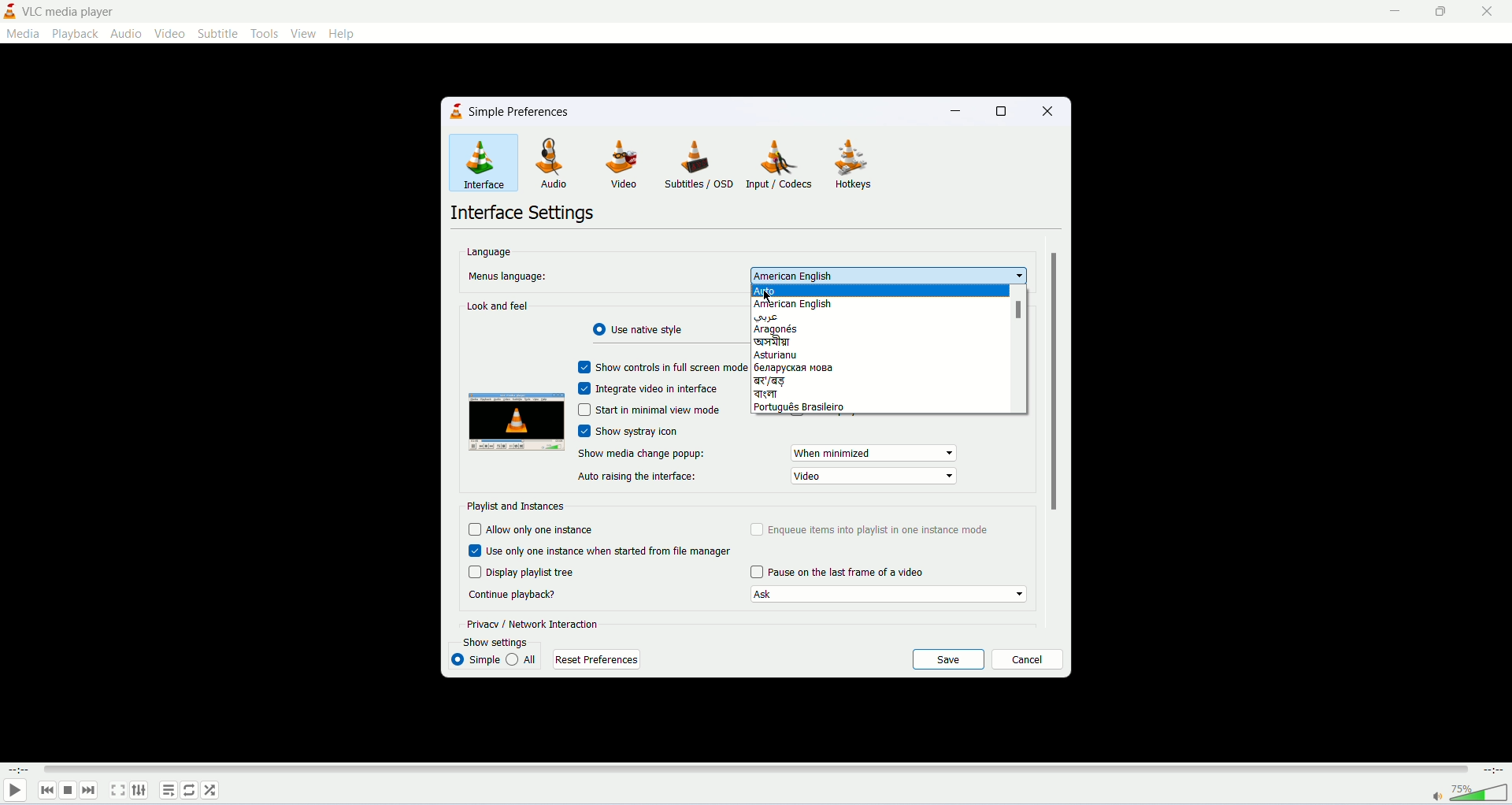  Describe the element at coordinates (16, 792) in the screenshot. I see `play/pause` at that location.